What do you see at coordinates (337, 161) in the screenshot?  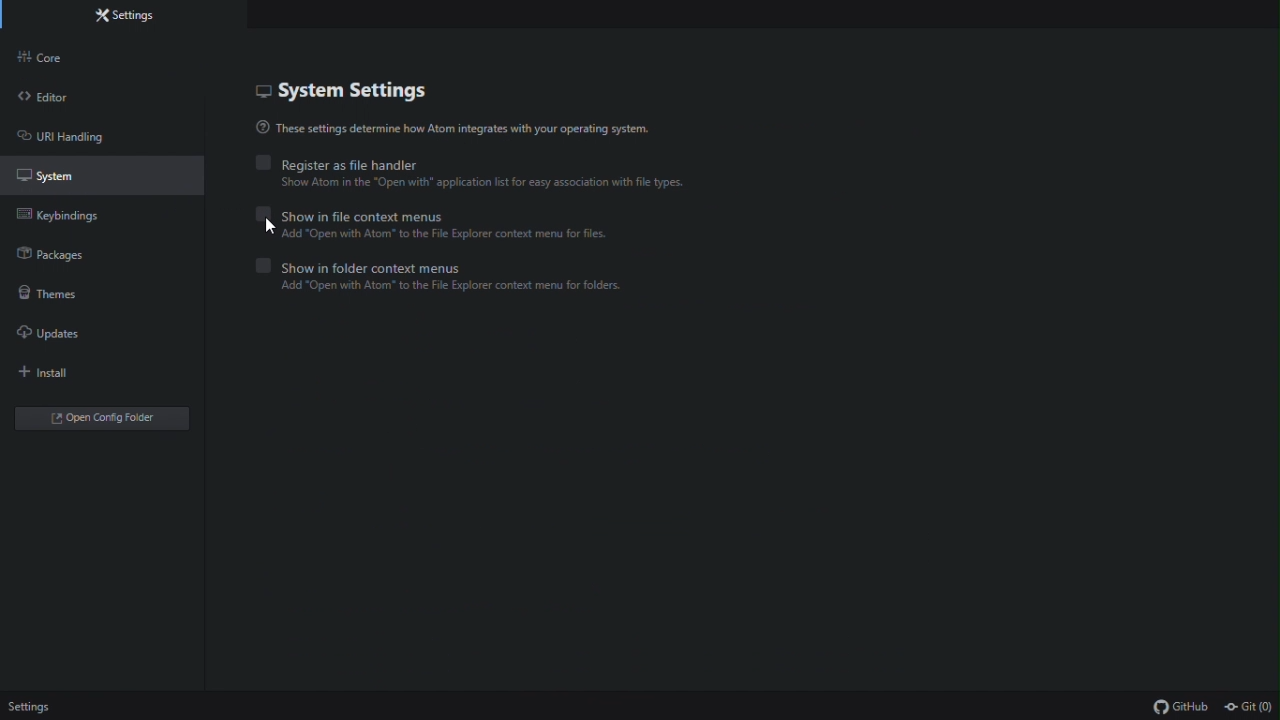 I see `Register as file handler` at bounding box center [337, 161].